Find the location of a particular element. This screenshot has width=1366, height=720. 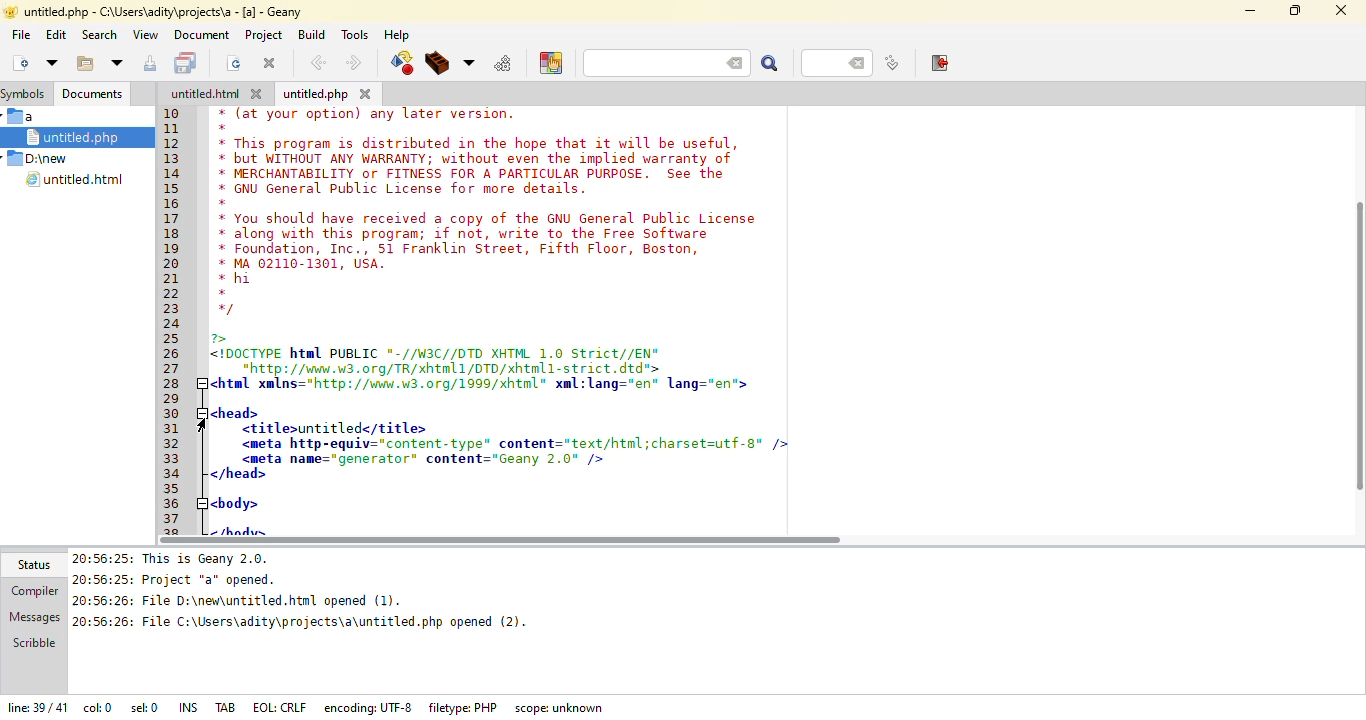

jump is located at coordinates (892, 63).